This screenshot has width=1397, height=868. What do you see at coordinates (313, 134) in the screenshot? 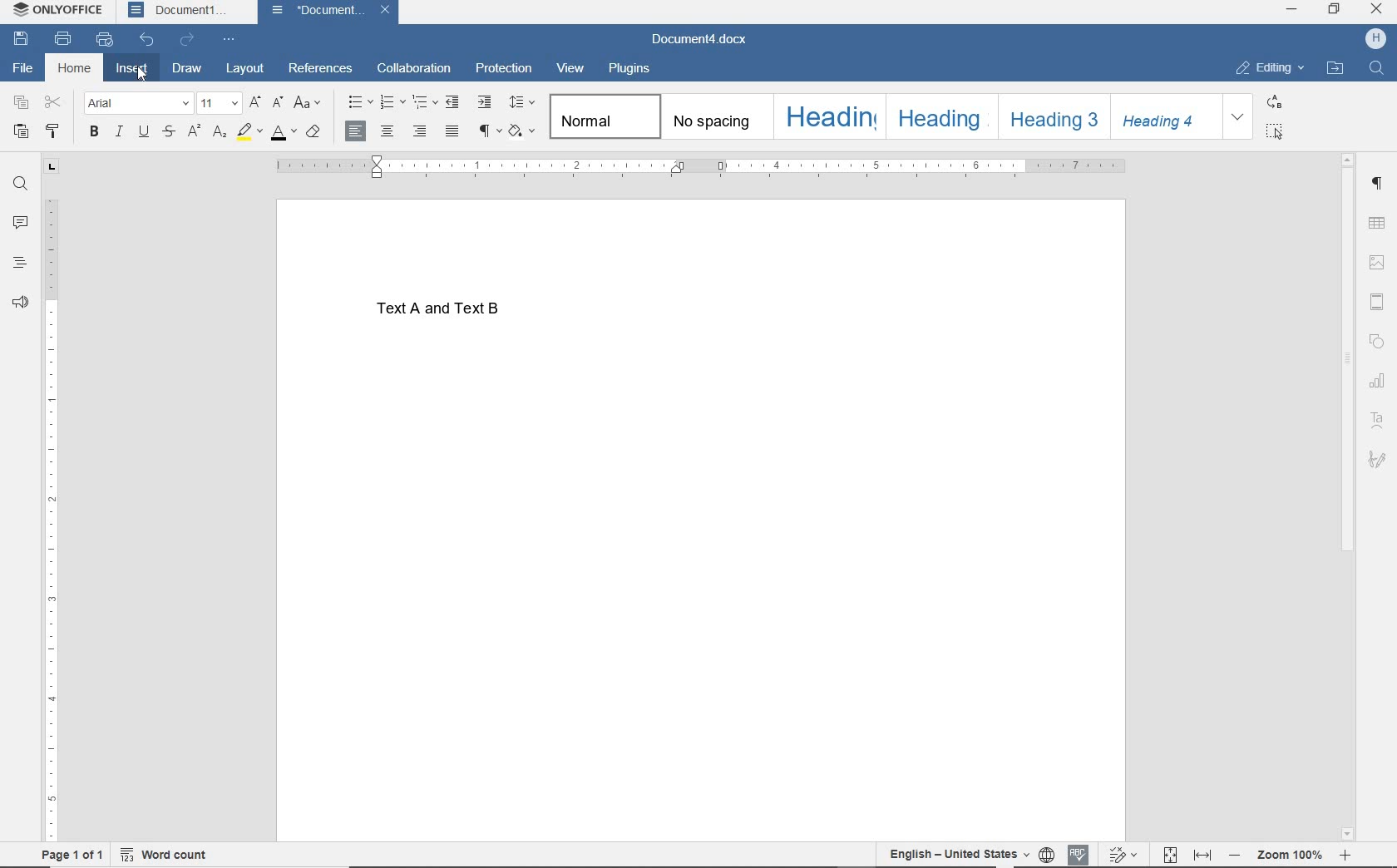
I see `CLEAR STYLE` at bounding box center [313, 134].